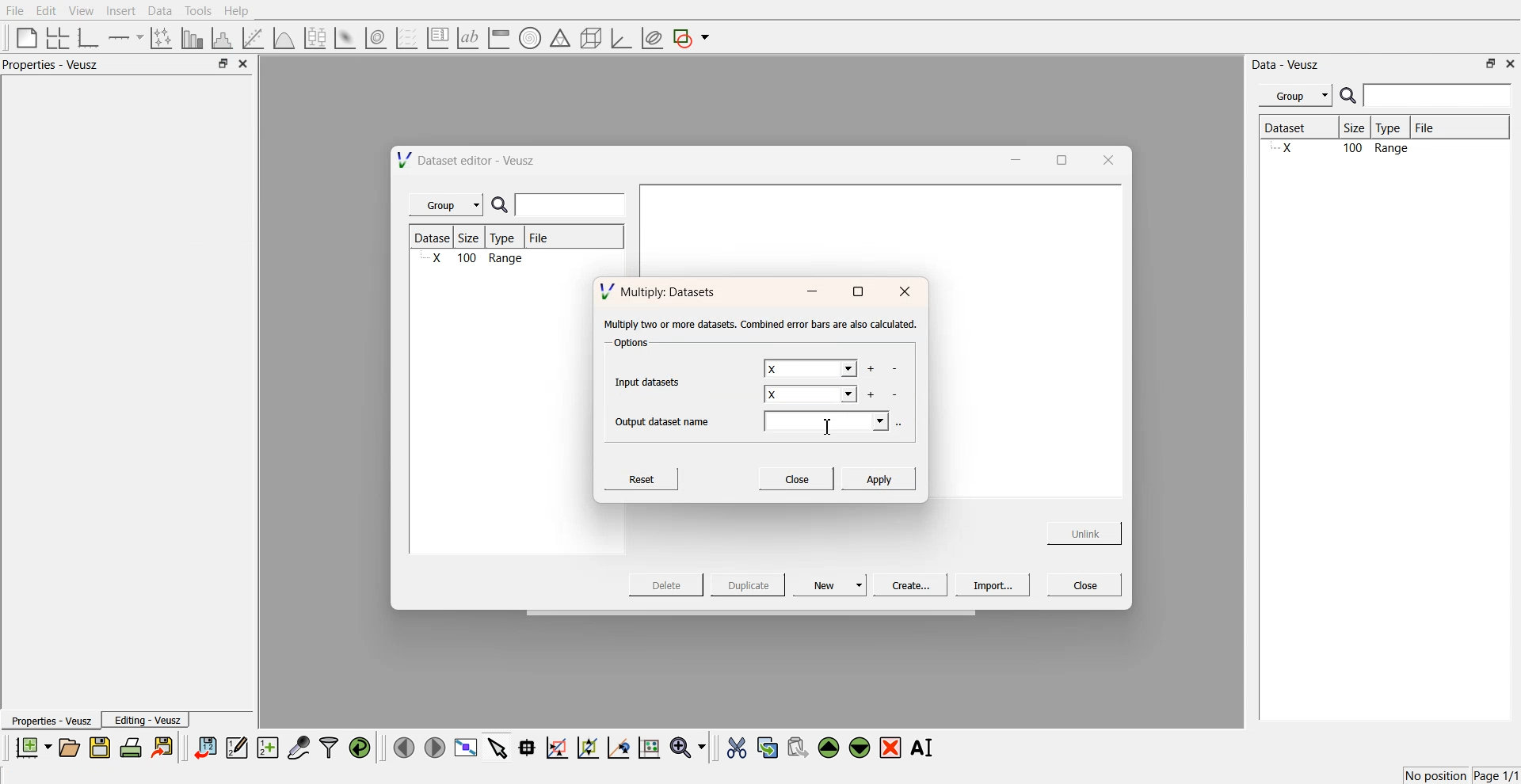 This screenshot has width=1521, height=784. What do you see at coordinates (1298, 129) in the screenshot?
I see `Dataset` at bounding box center [1298, 129].